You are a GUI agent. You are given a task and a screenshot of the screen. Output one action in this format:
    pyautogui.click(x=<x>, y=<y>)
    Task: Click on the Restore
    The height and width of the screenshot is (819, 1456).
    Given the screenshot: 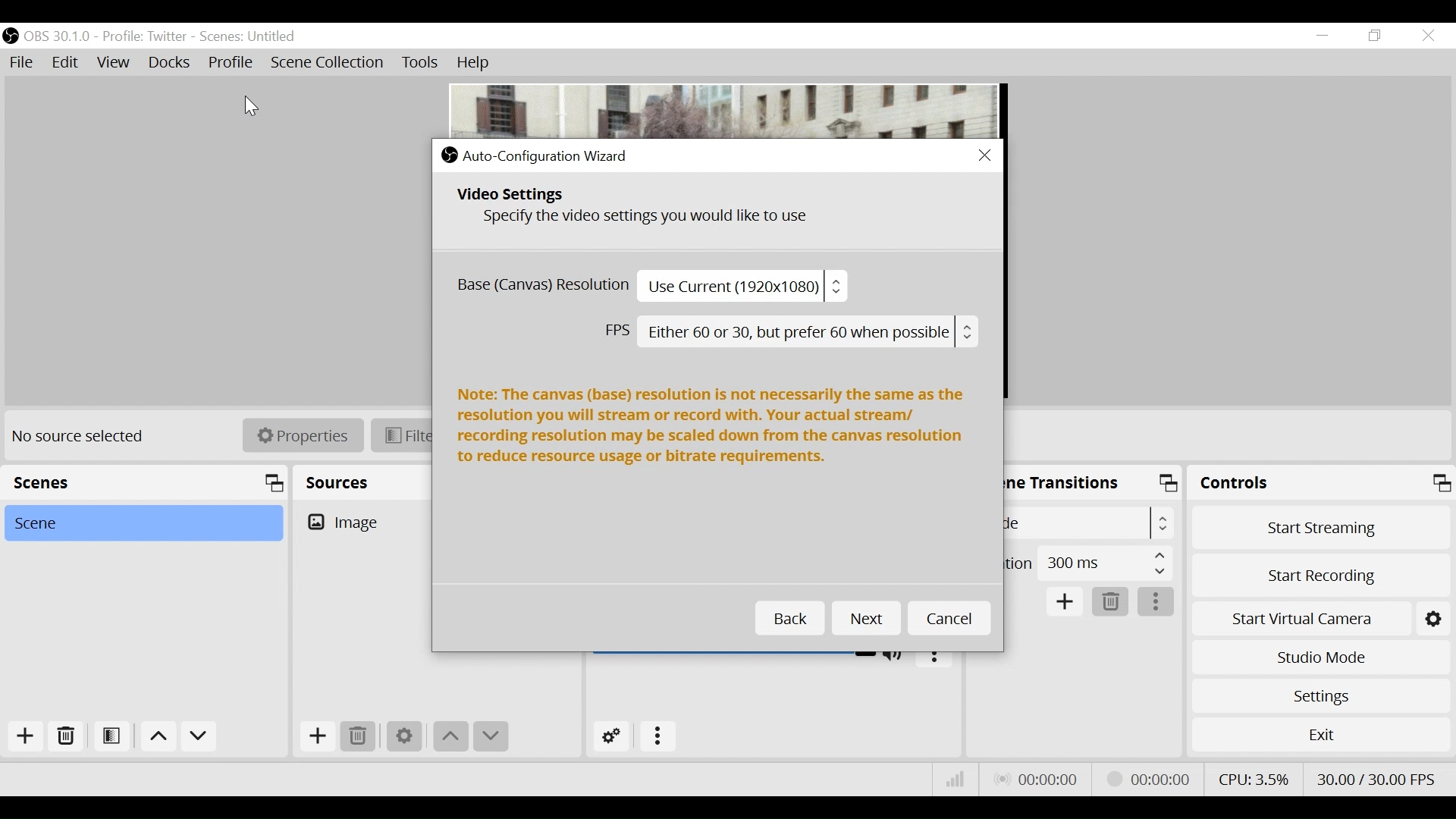 What is the action you would take?
    pyautogui.click(x=1373, y=36)
    